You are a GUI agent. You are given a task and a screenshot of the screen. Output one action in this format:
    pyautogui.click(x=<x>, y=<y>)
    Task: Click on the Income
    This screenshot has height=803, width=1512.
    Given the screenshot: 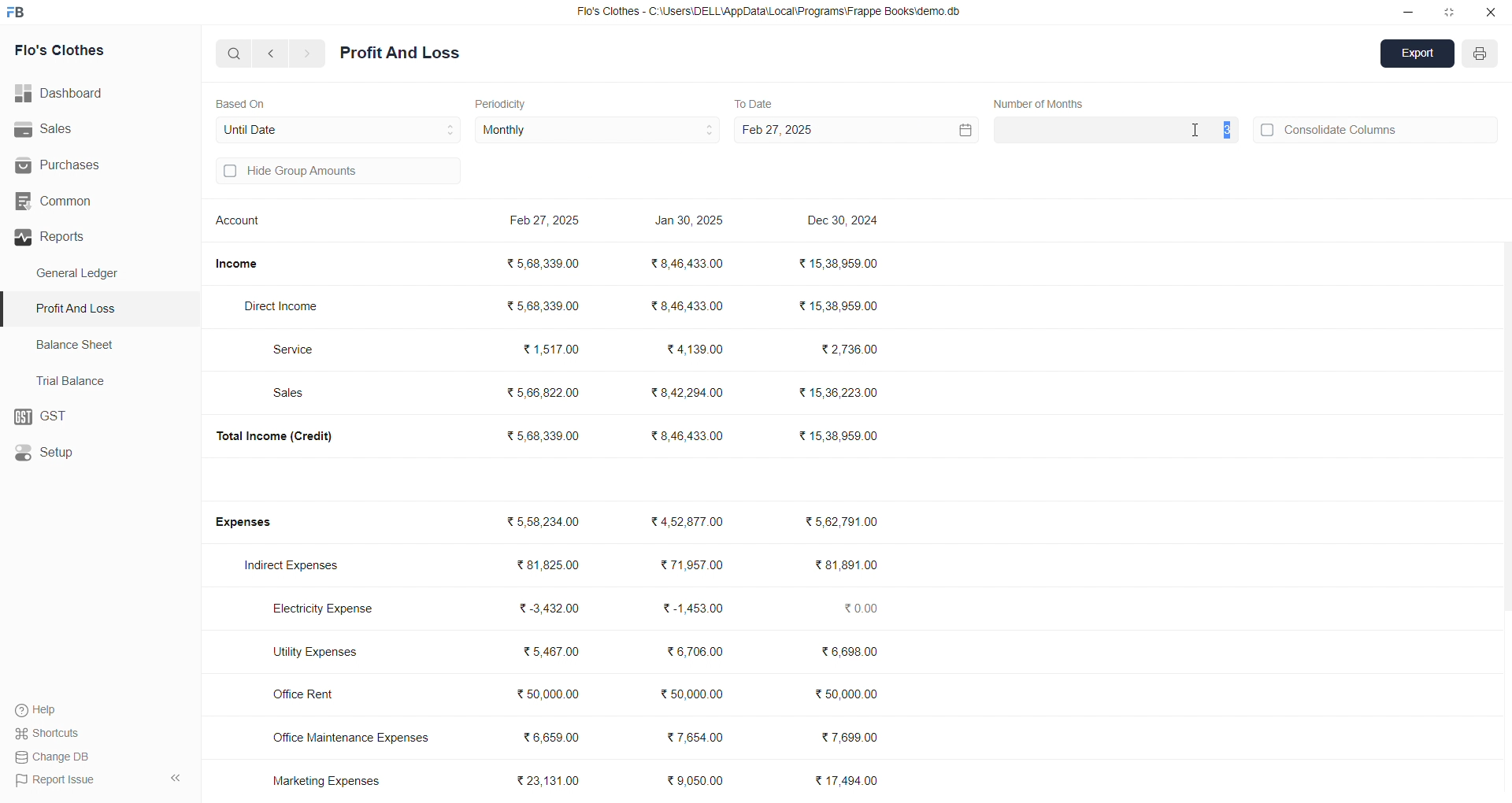 What is the action you would take?
    pyautogui.click(x=243, y=264)
    